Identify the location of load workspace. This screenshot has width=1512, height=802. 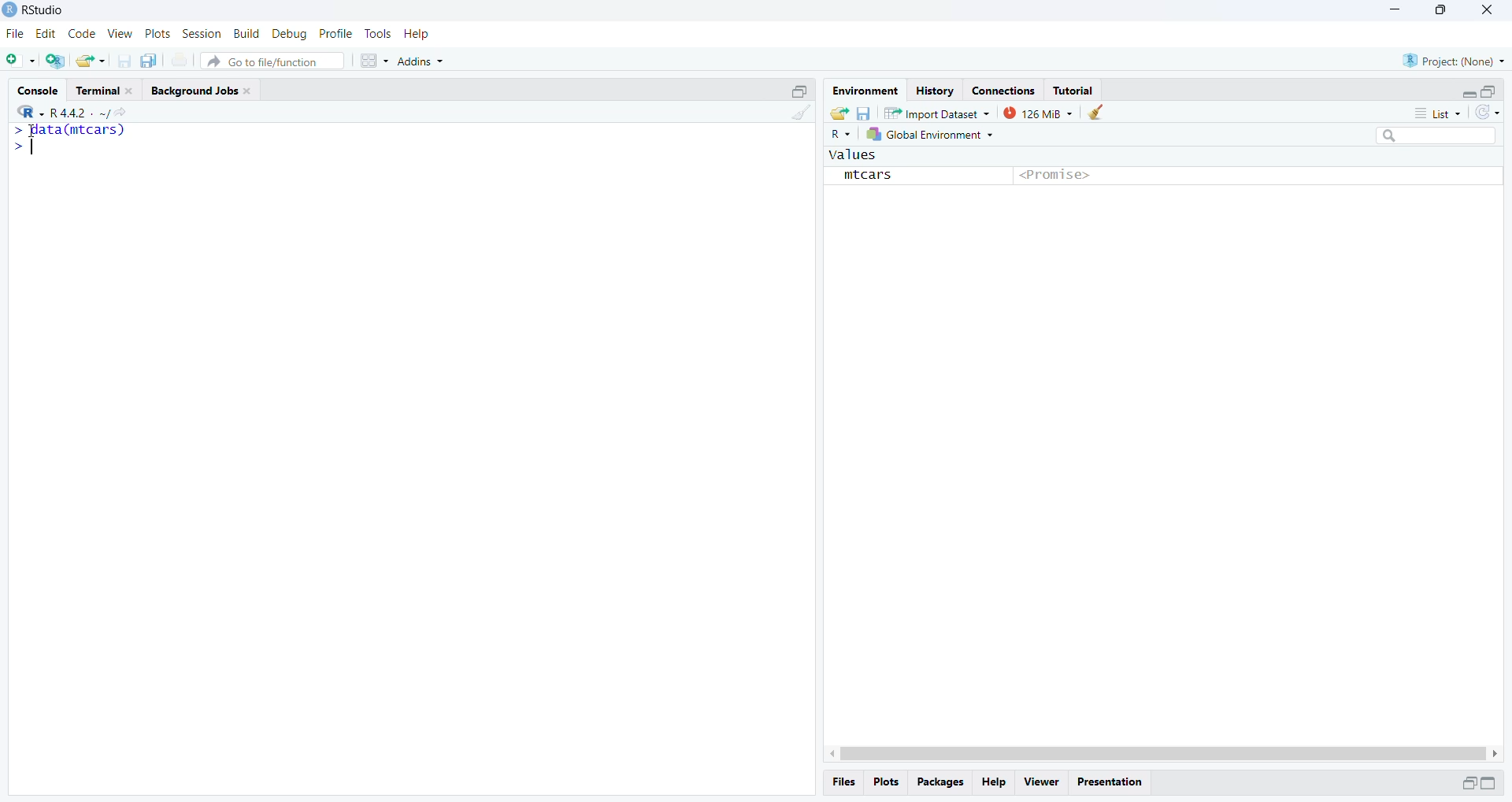
(839, 113).